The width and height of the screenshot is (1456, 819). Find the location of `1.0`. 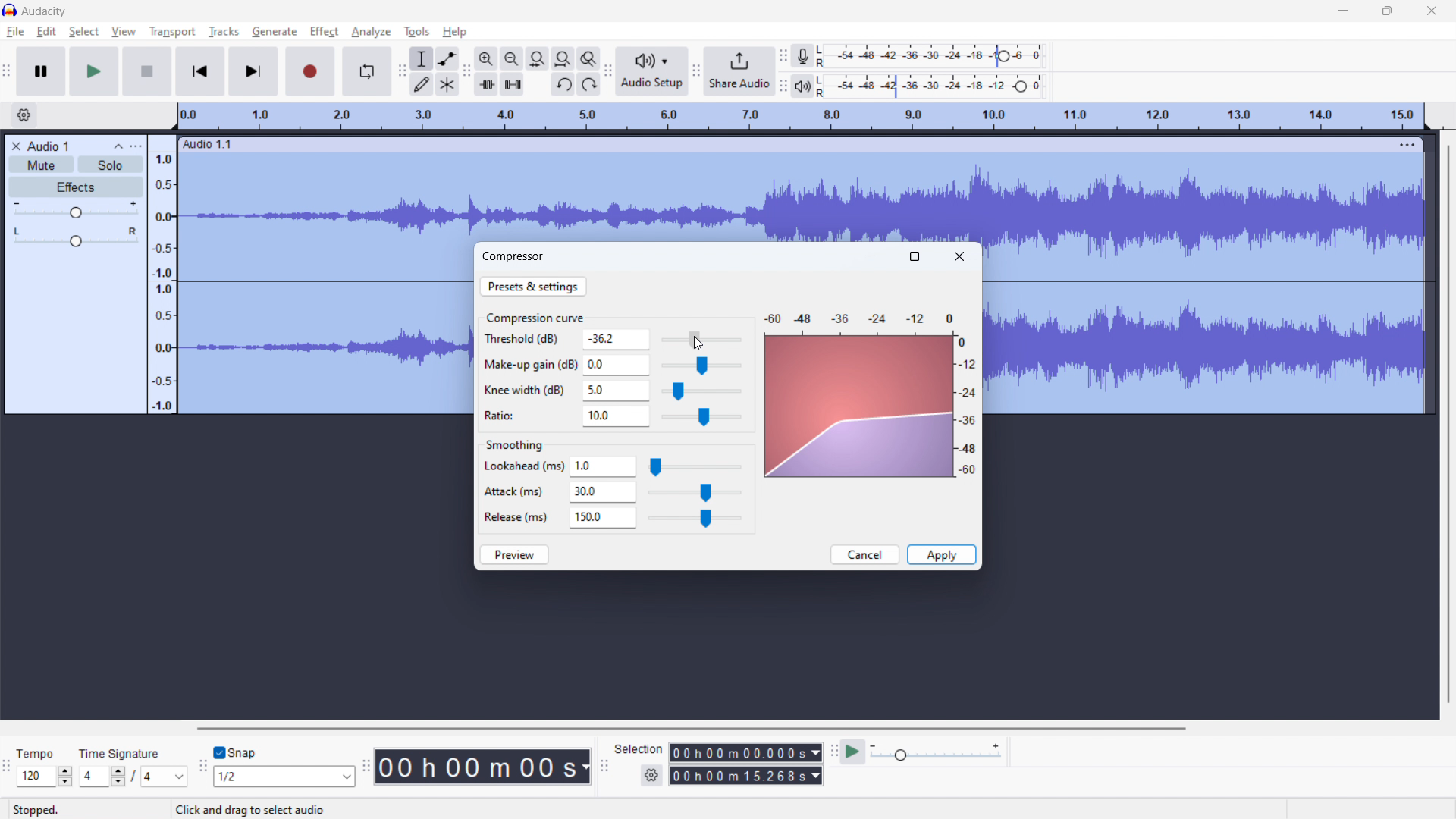

1.0 is located at coordinates (604, 467).